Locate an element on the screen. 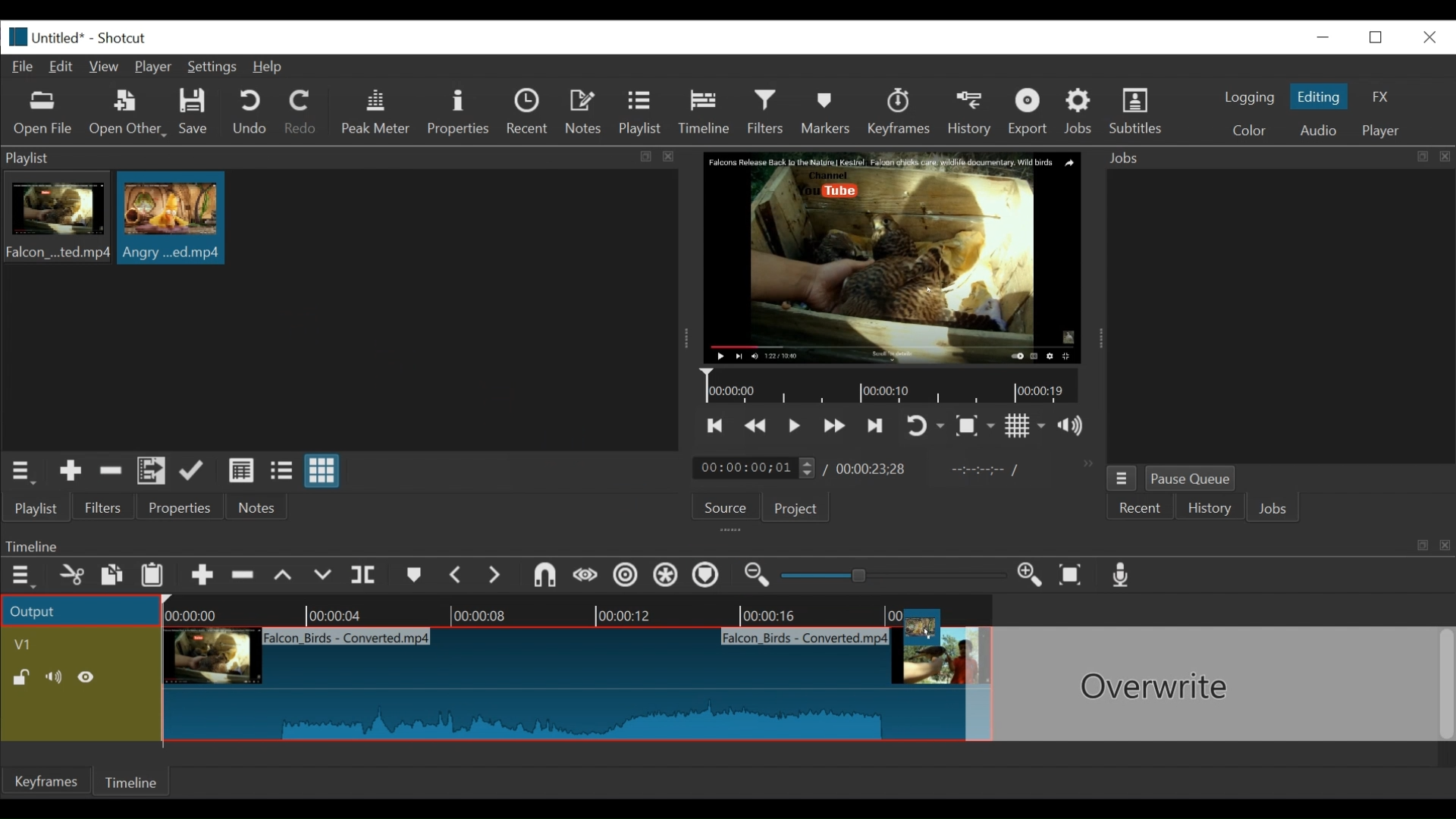 The height and width of the screenshot is (819, 1456). in point is located at coordinates (981, 472).